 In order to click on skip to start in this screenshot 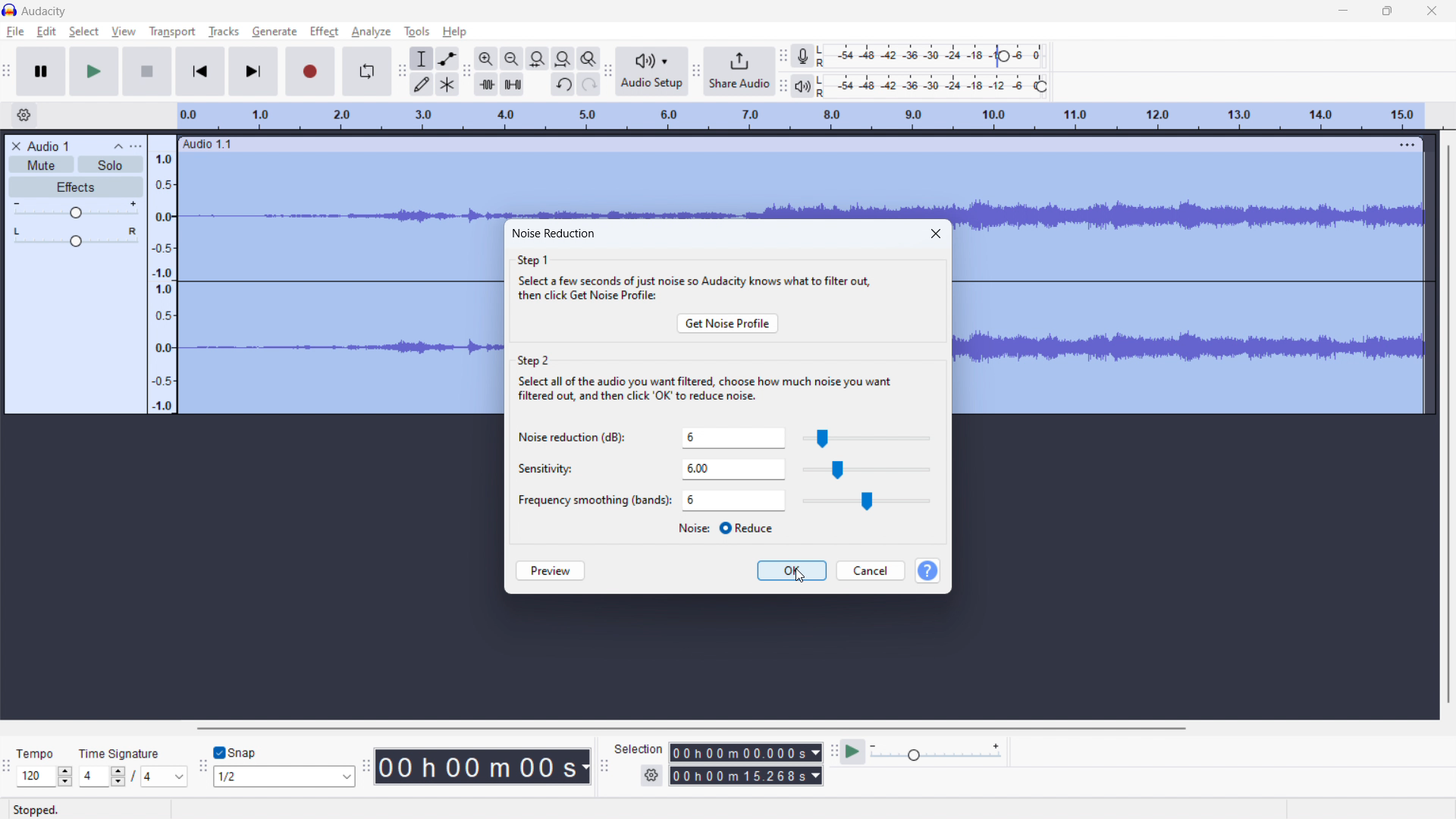, I will do `click(199, 71)`.